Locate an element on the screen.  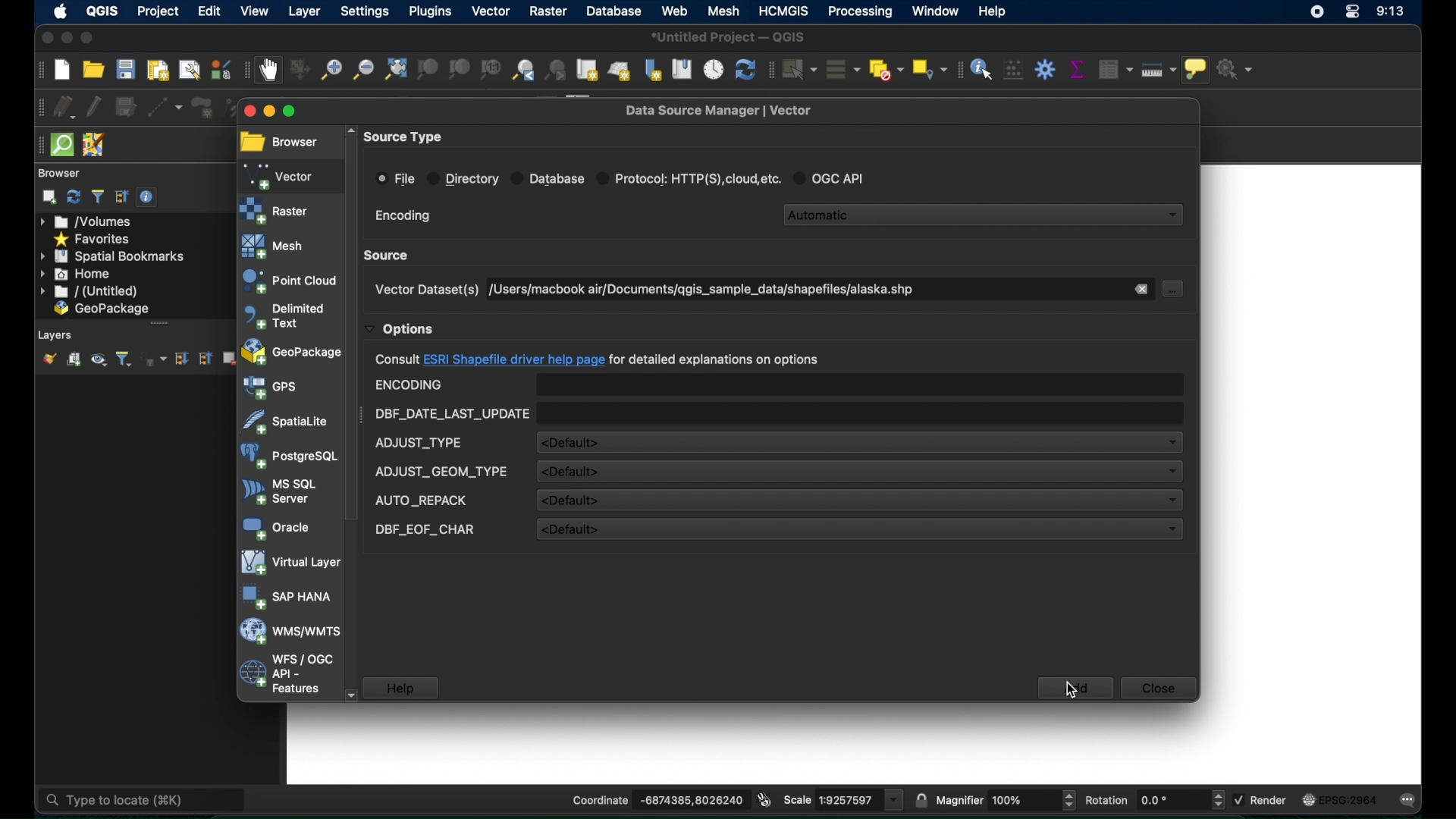
enable/disable properties widget is located at coordinates (149, 199).